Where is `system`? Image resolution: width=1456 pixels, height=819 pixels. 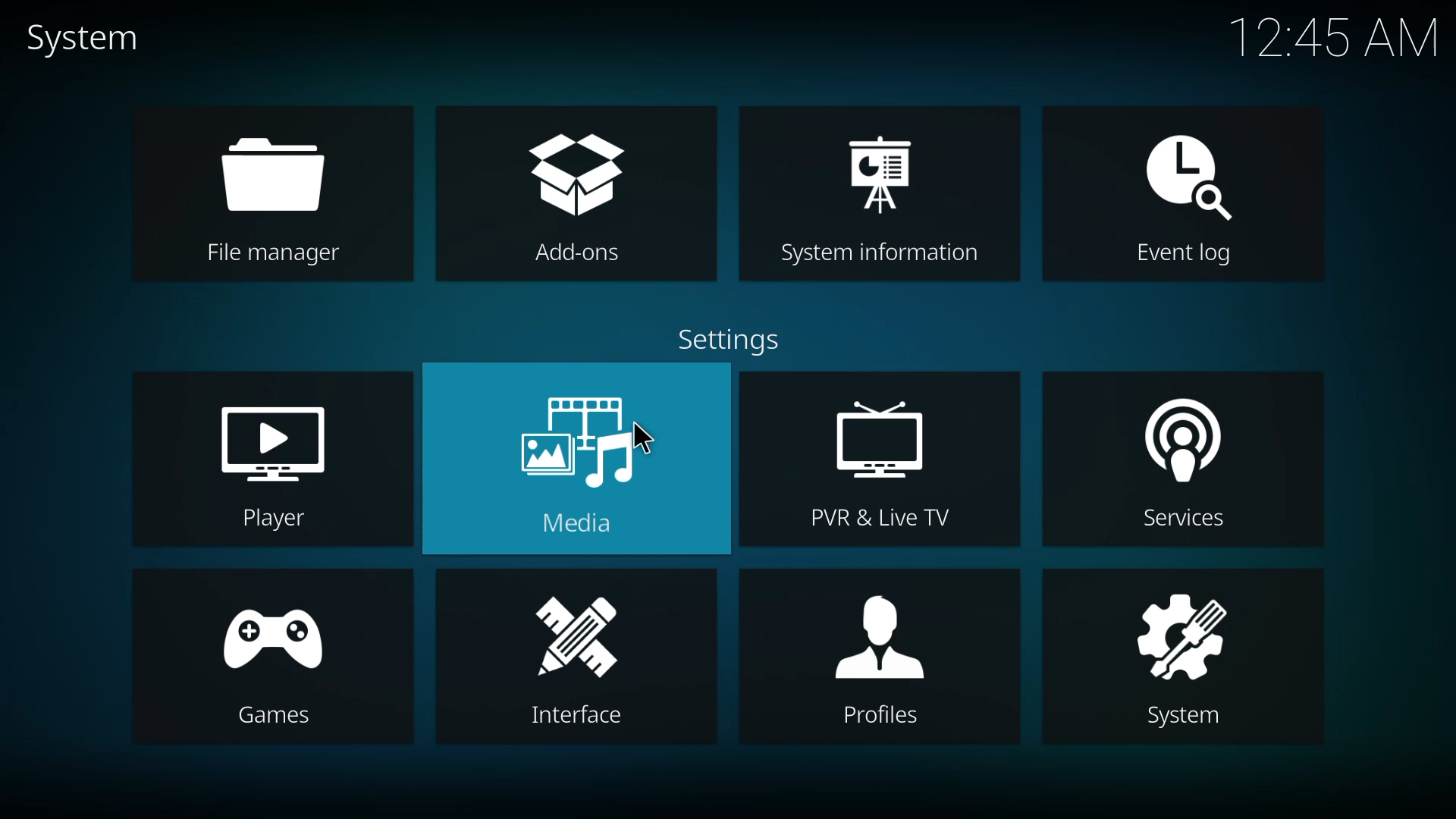 system is located at coordinates (88, 36).